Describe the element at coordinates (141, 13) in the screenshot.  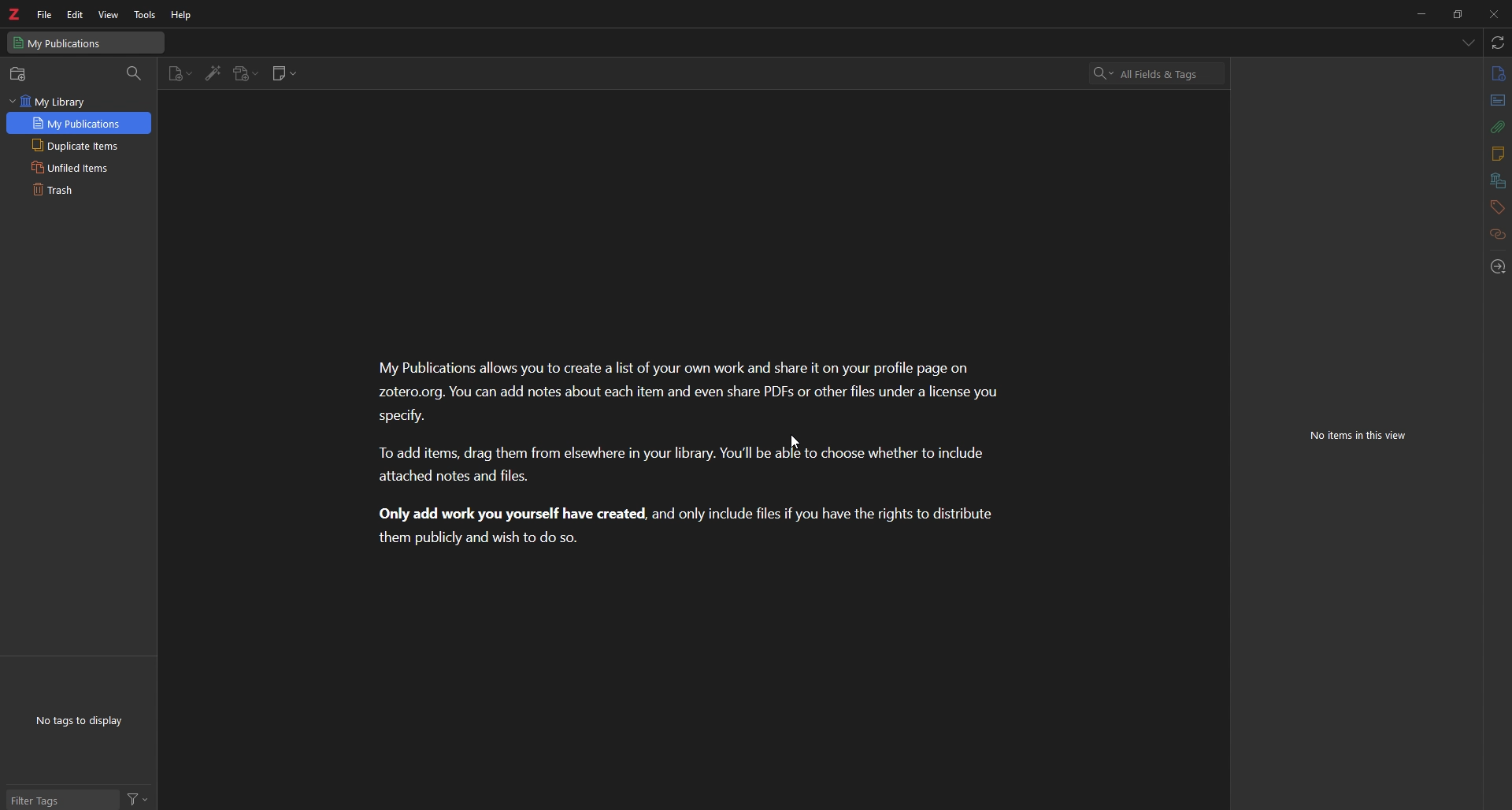
I see `Tools` at that location.